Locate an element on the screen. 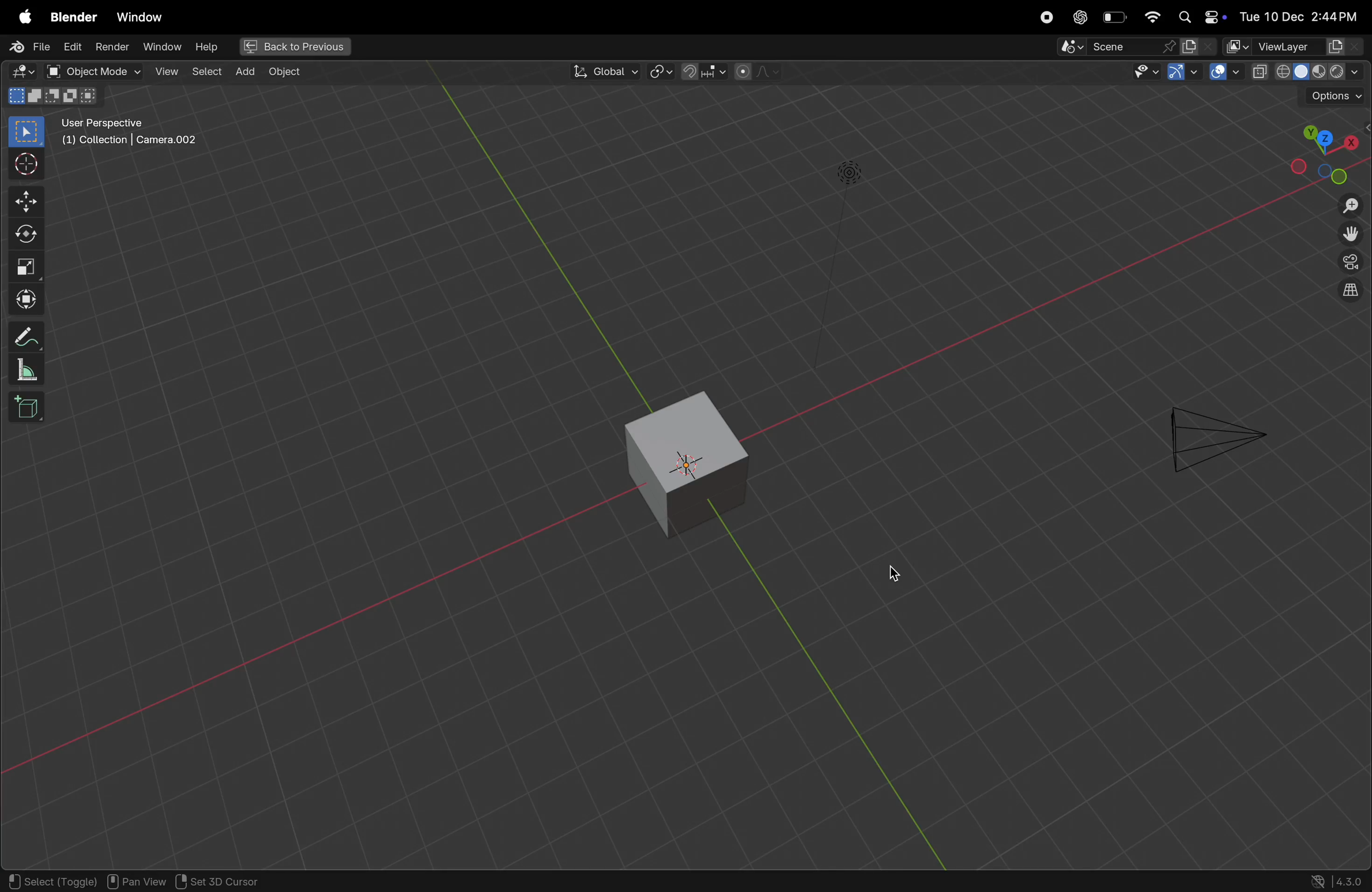  apple widgets is located at coordinates (1198, 16).